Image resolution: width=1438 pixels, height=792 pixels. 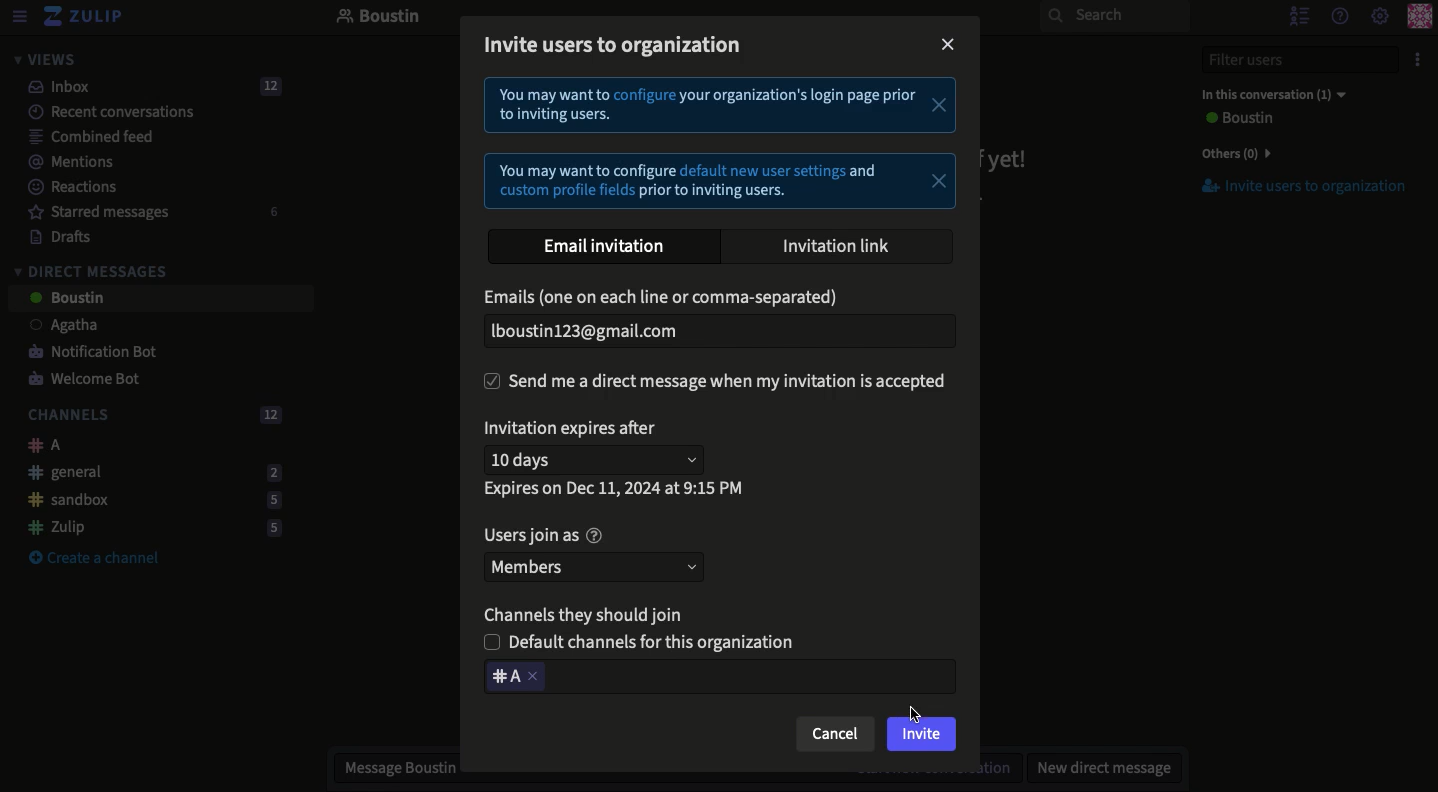 What do you see at coordinates (714, 332) in the screenshot?
I see `Email added` at bounding box center [714, 332].